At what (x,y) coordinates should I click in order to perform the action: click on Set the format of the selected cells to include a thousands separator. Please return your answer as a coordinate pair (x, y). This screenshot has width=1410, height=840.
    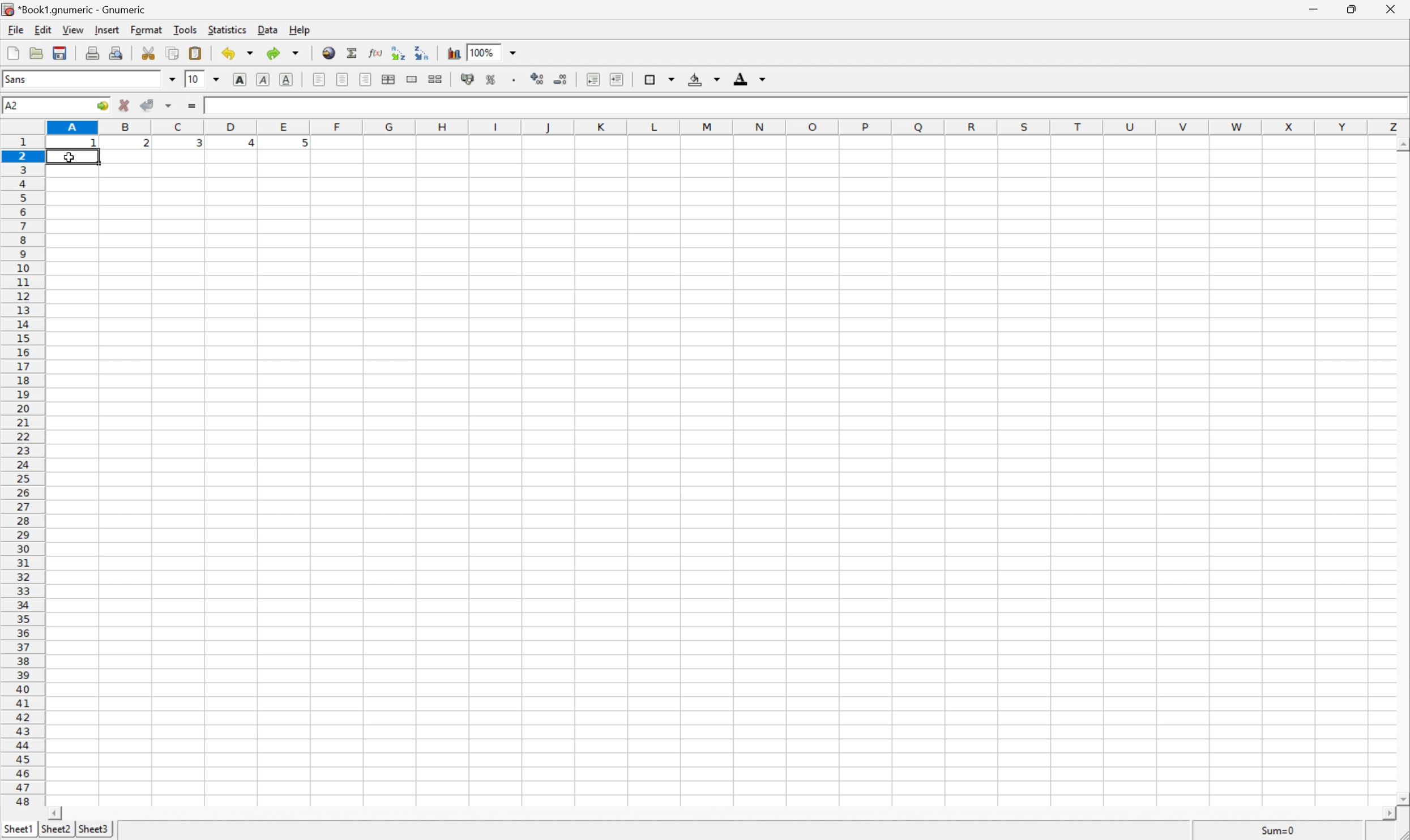
    Looking at the image, I should click on (514, 80).